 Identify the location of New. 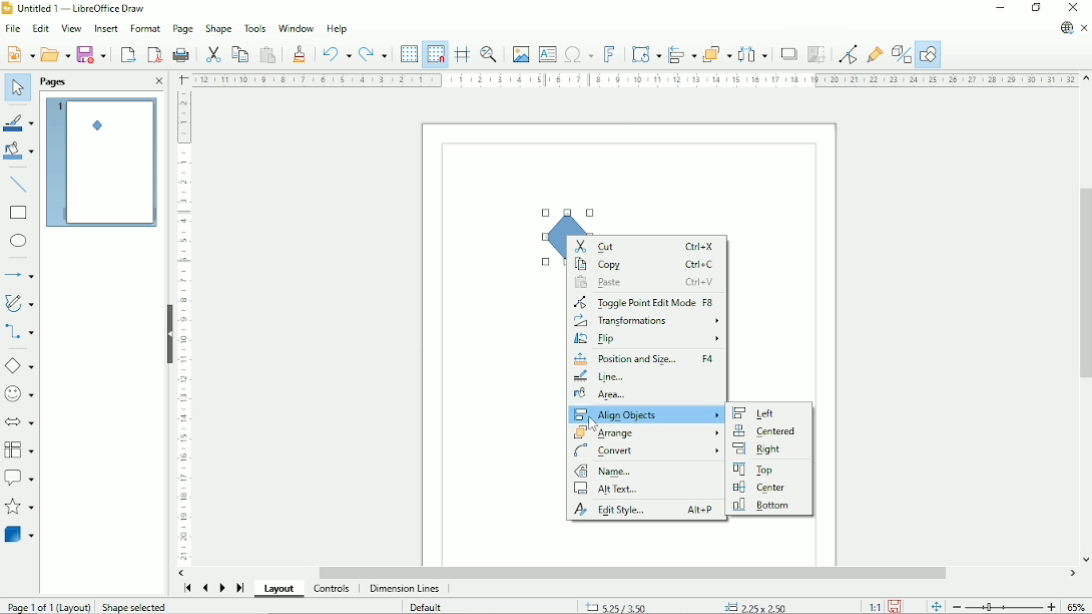
(20, 54).